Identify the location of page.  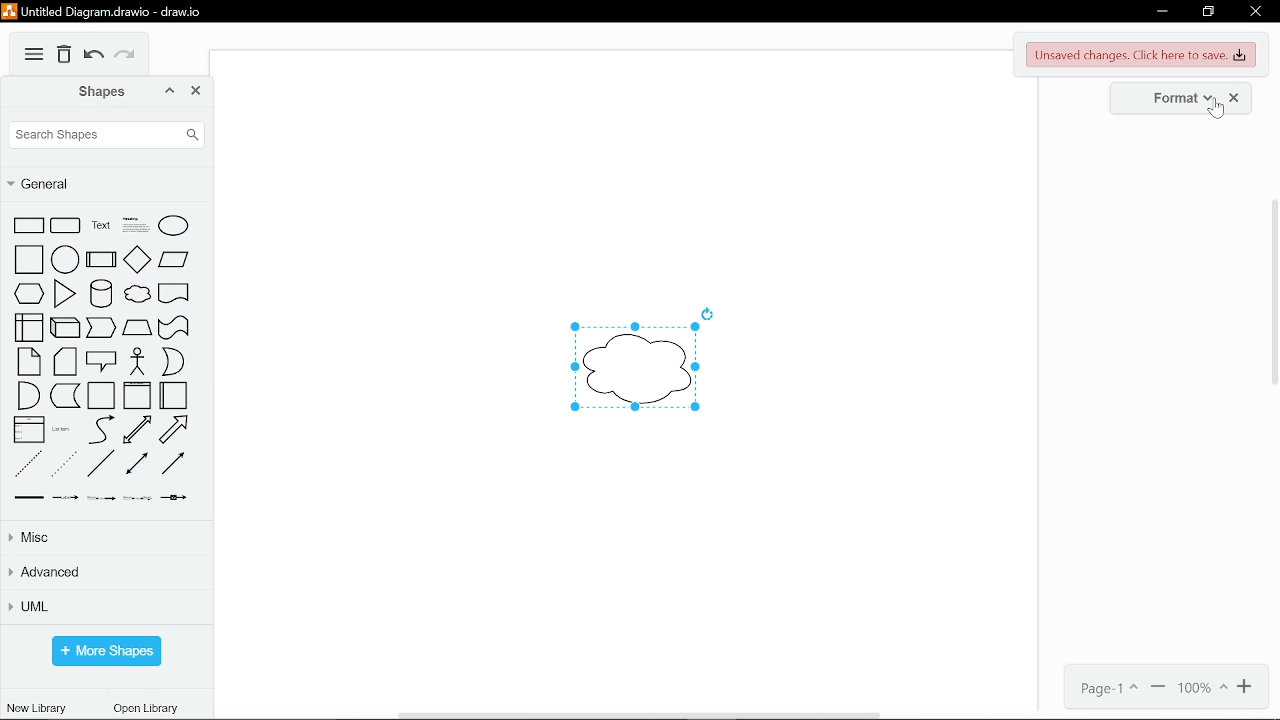
(1112, 688).